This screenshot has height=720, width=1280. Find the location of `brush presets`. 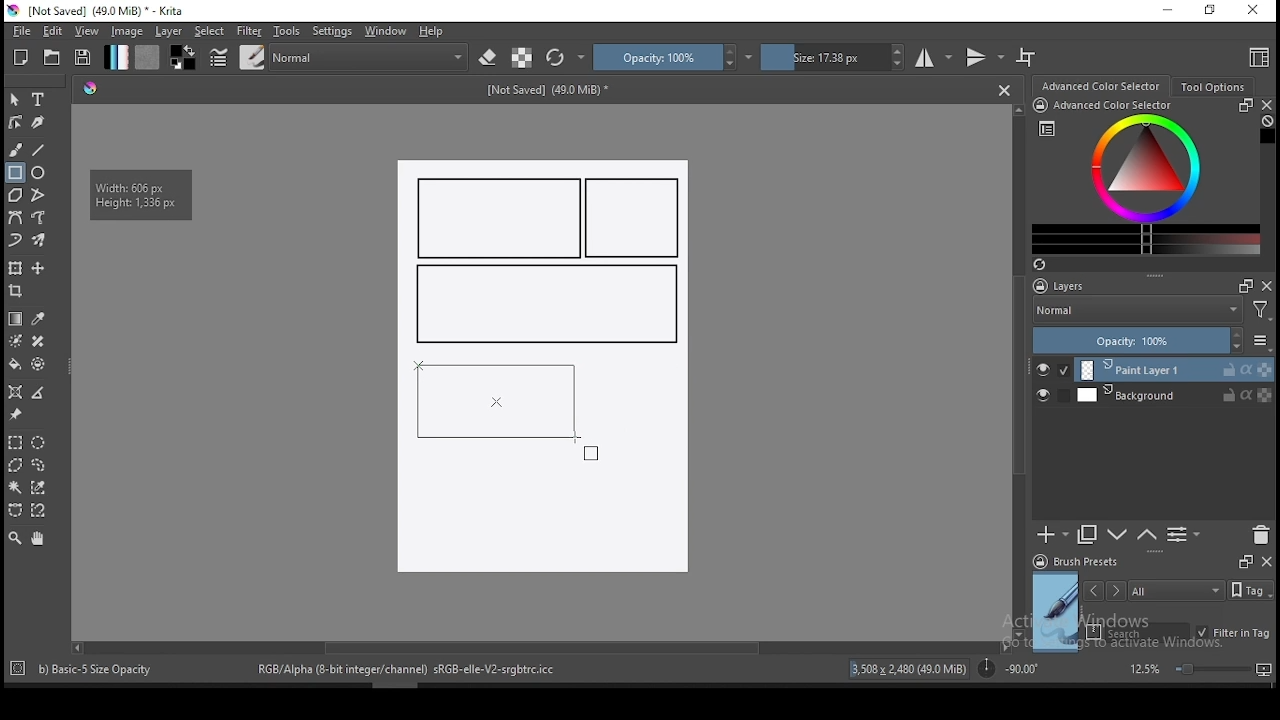

brush presets is located at coordinates (1082, 562).